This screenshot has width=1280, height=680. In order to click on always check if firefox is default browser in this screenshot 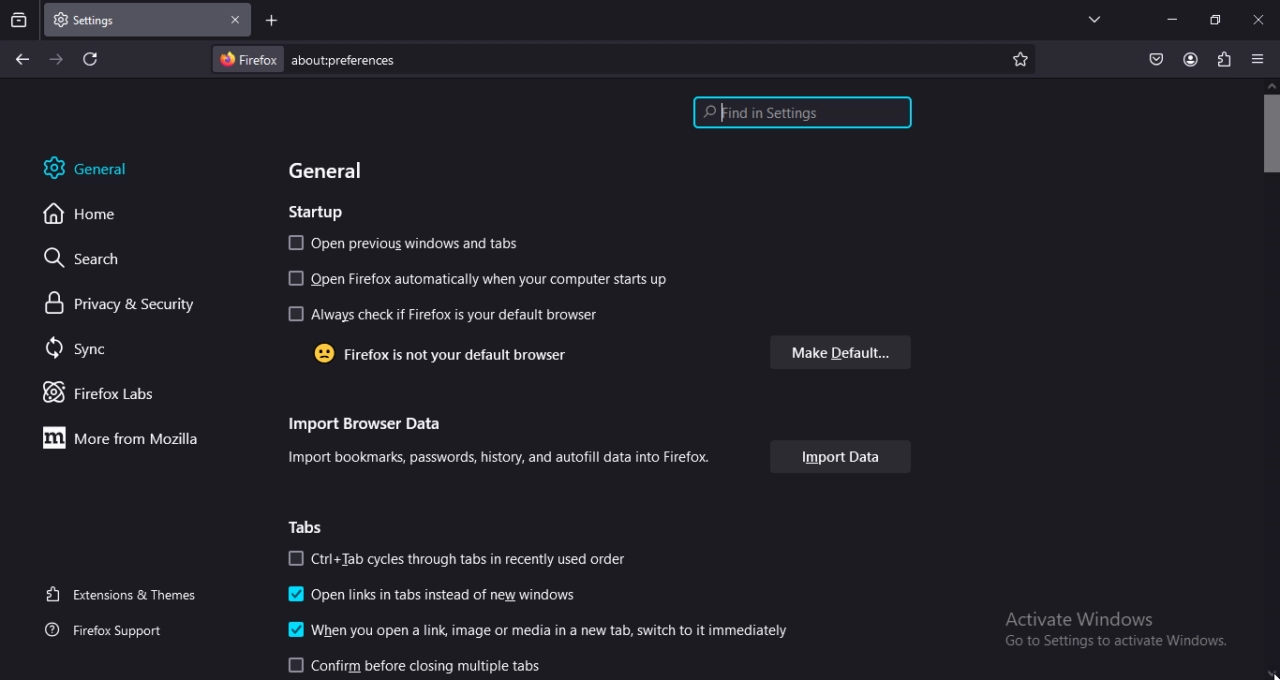, I will do `click(443, 317)`.